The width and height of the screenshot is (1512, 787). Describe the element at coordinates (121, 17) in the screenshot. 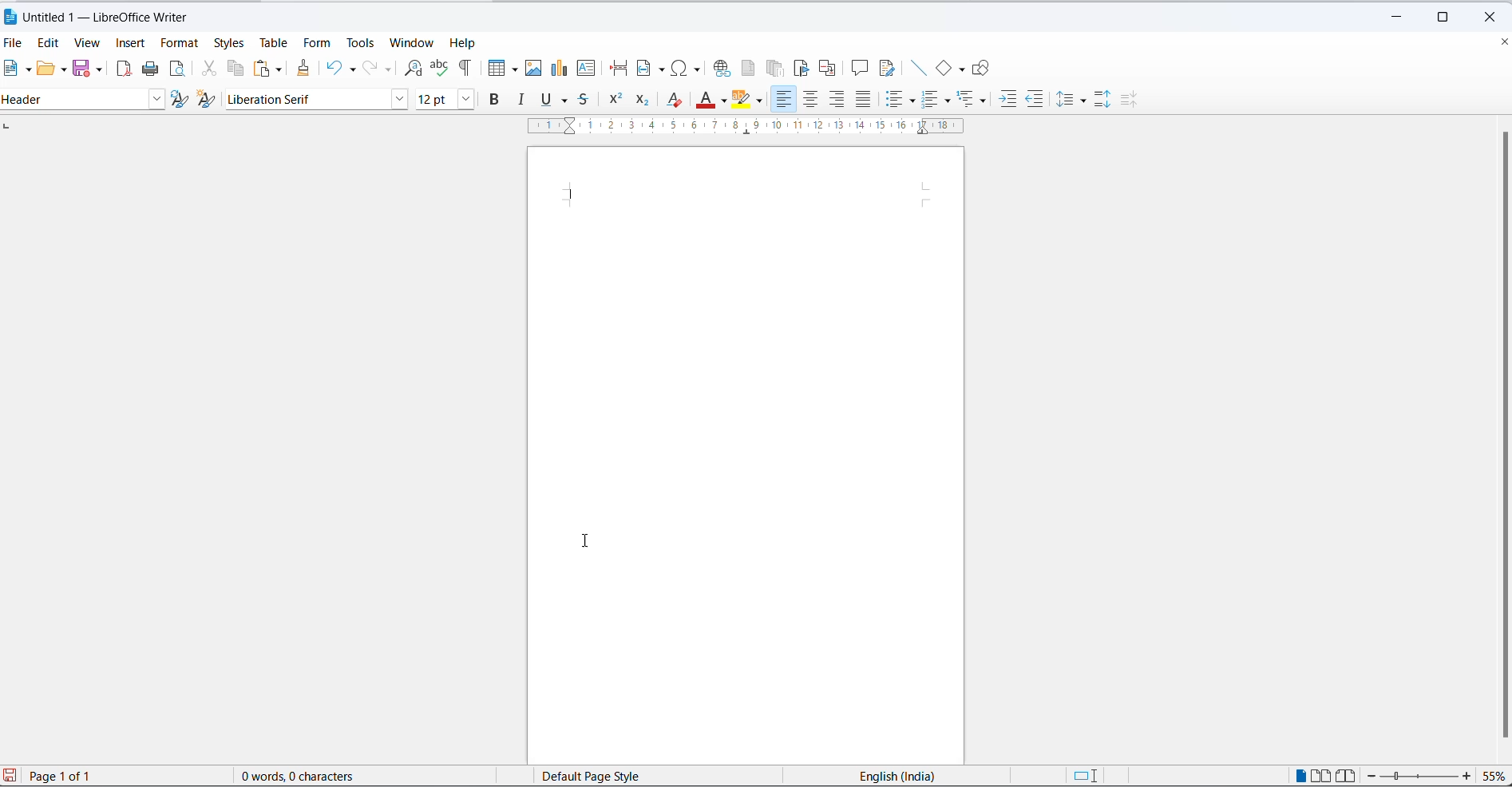

I see `Untitled 1 - LibreOffice Writer` at that location.